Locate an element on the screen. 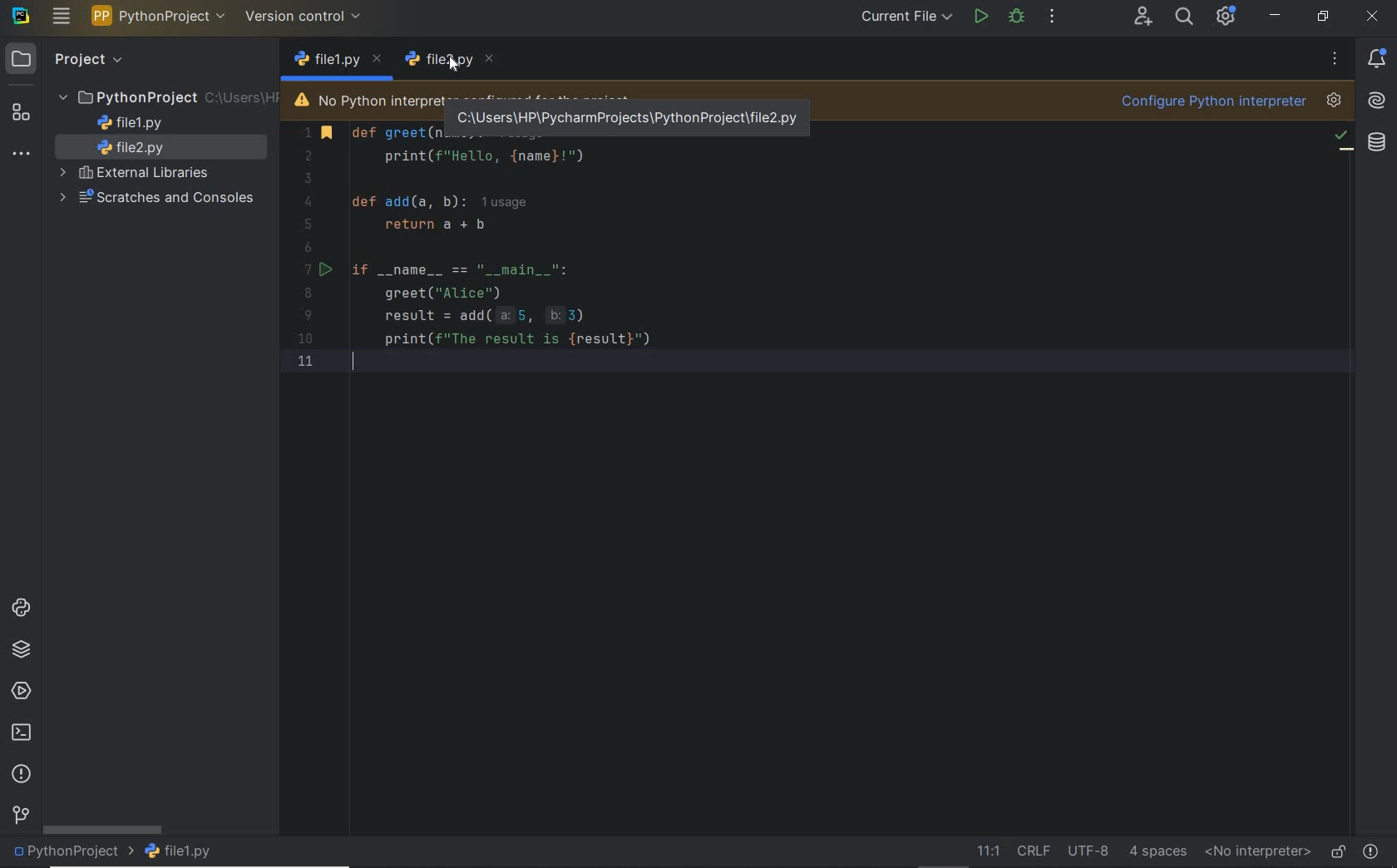 The width and height of the screenshot is (1397, 868). configure python interpreter is located at coordinates (1230, 102).